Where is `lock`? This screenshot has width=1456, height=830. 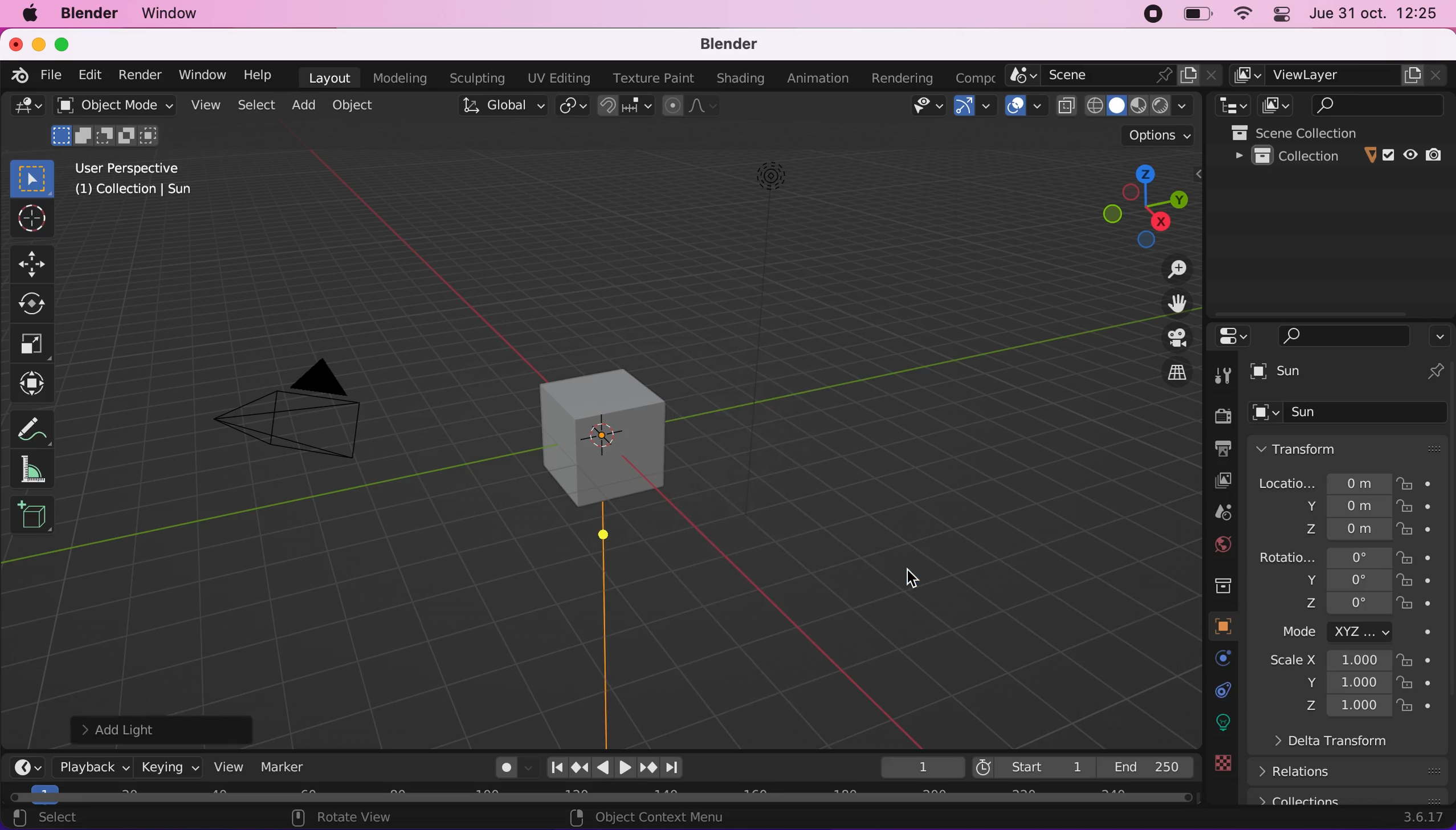 lock is located at coordinates (1427, 707).